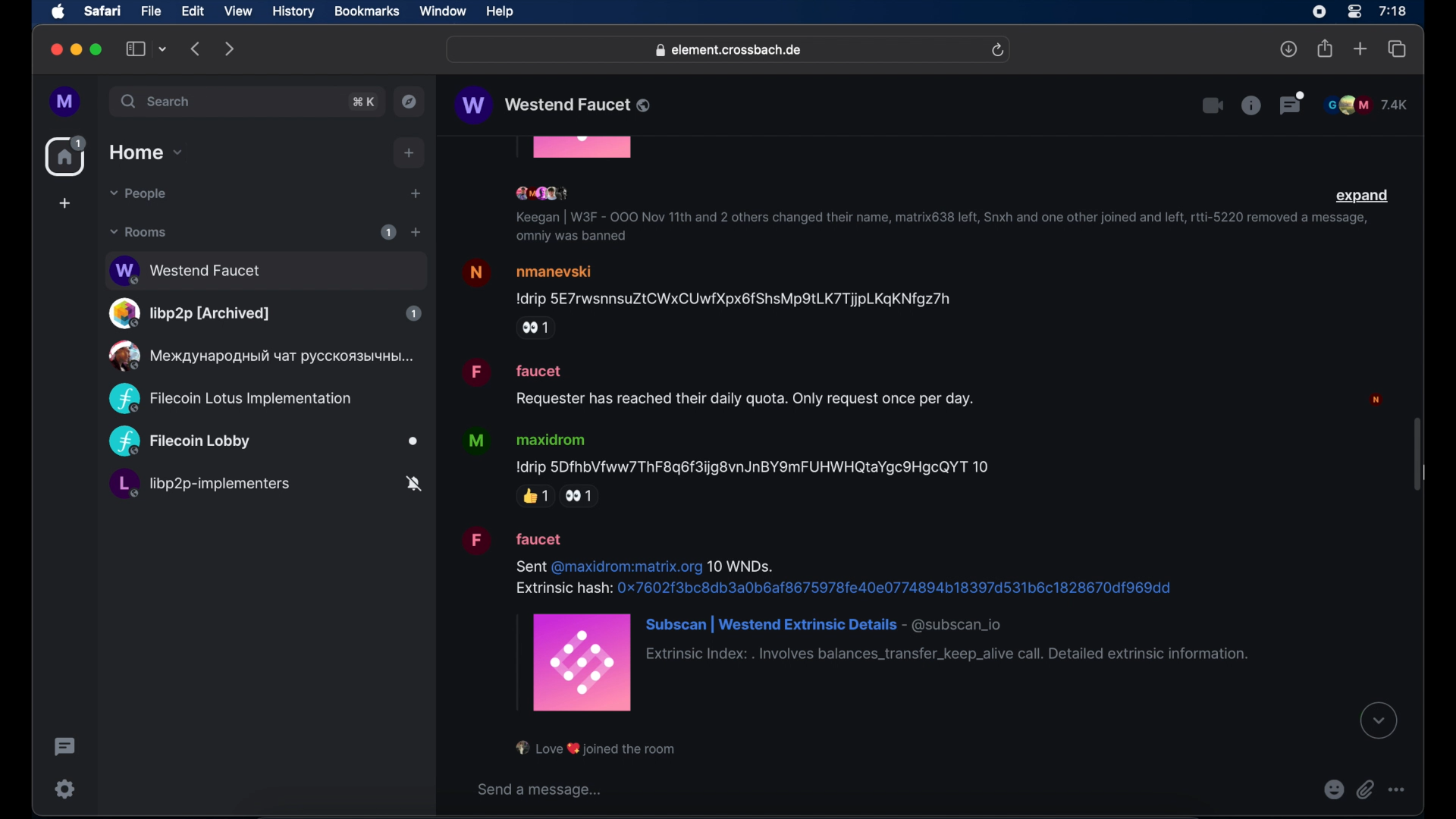 The width and height of the screenshot is (1456, 819). What do you see at coordinates (1334, 789) in the screenshot?
I see `emojis` at bounding box center [1334, 789].